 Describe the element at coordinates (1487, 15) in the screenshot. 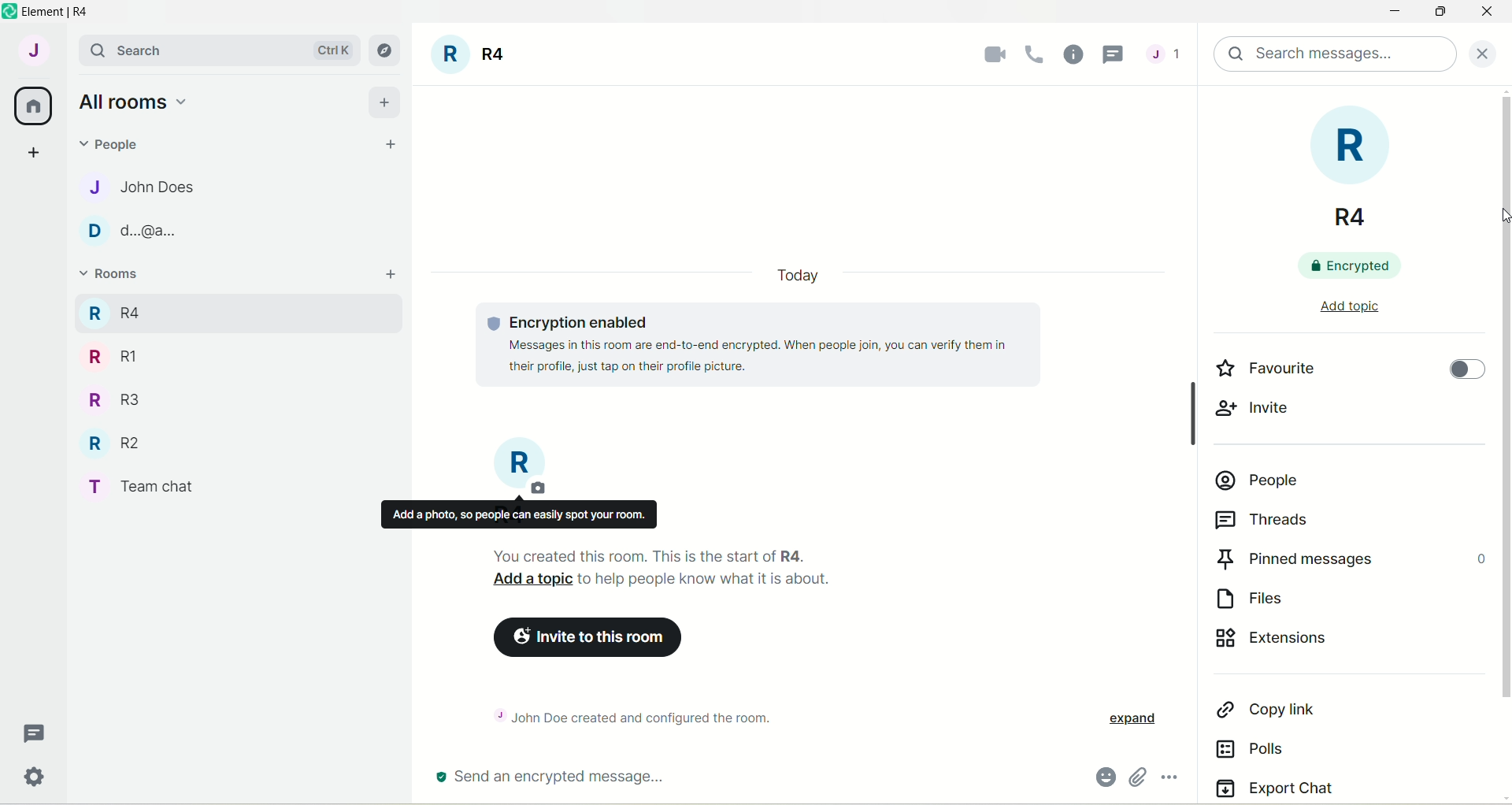

I see `close` at that location.